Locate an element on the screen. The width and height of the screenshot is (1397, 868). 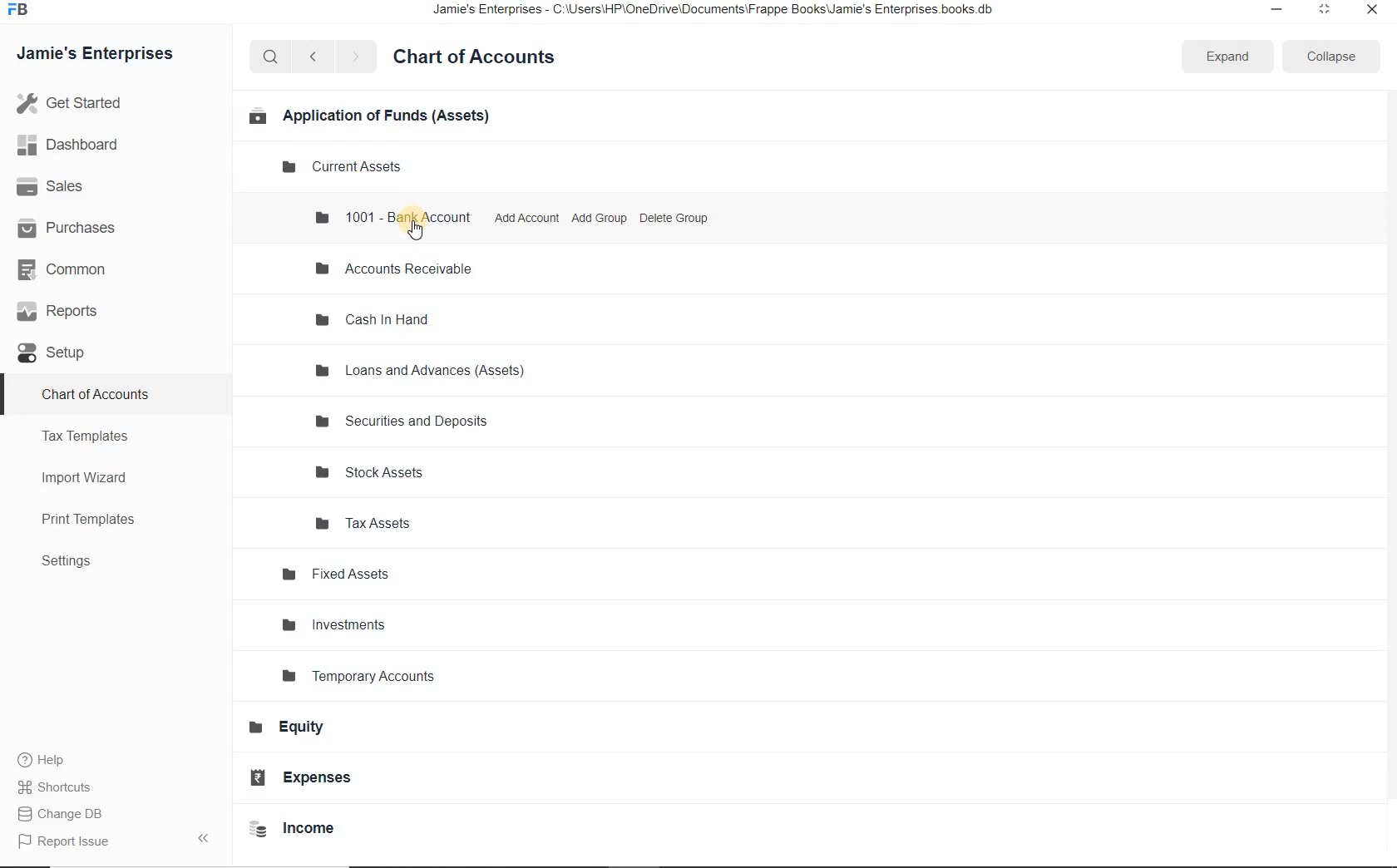
collapse is located at coordinates (1327, 57).